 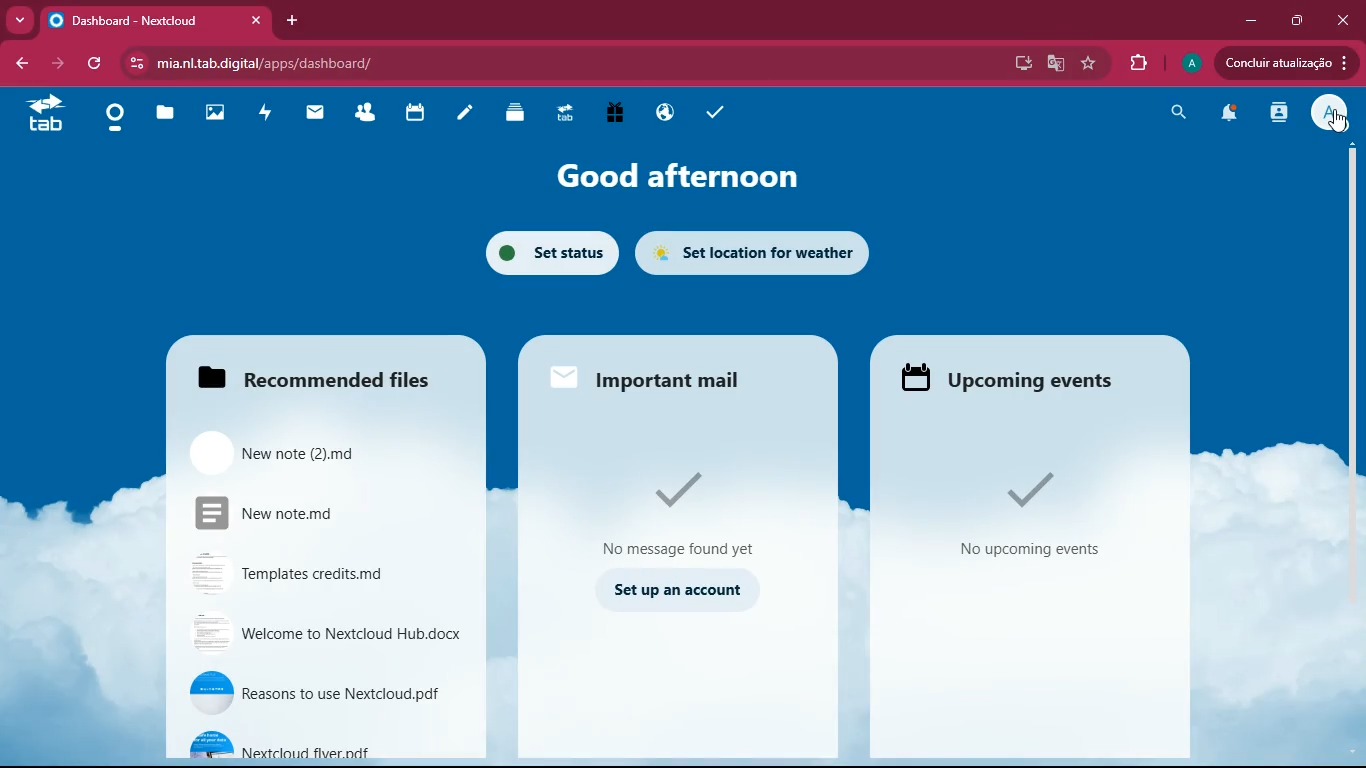 What do you see at coordinates (1182, 112) in the screenshot?
I see `search` at bounding box center [1182, 112].